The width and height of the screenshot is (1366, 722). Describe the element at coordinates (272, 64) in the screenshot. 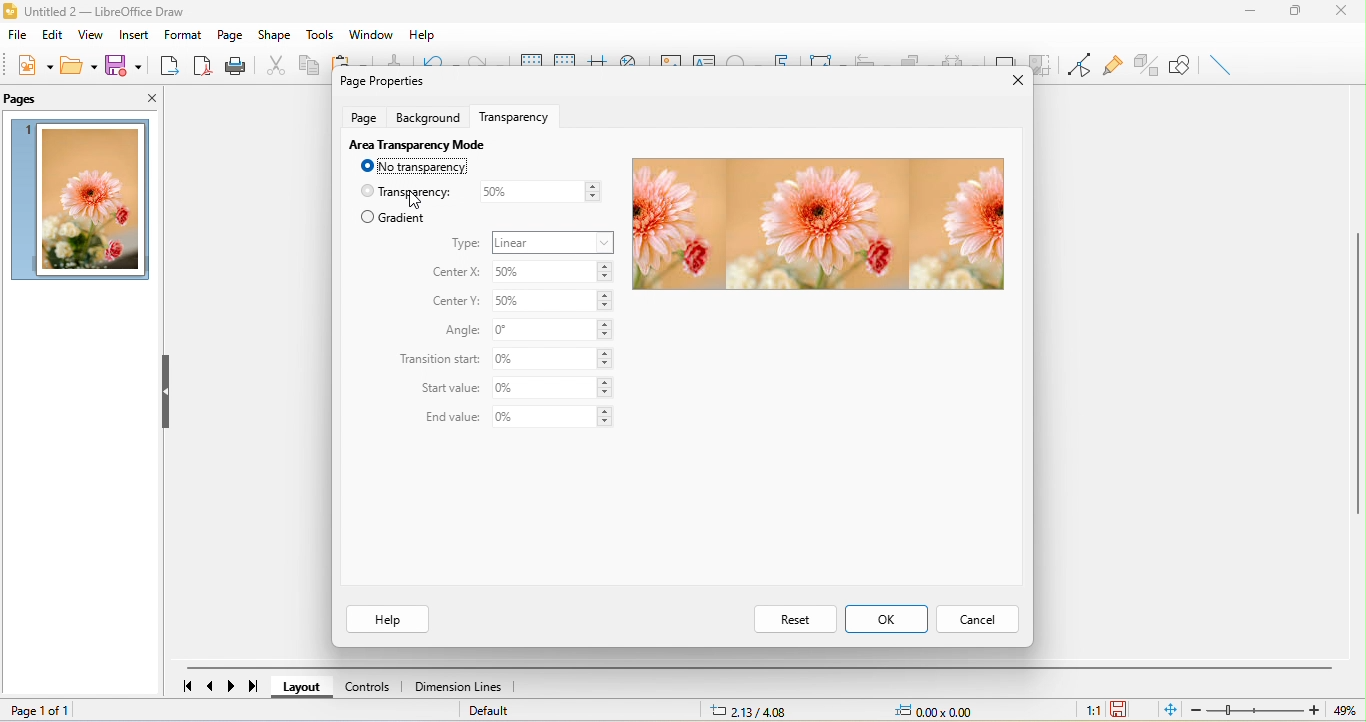

I see `cut` at that location.